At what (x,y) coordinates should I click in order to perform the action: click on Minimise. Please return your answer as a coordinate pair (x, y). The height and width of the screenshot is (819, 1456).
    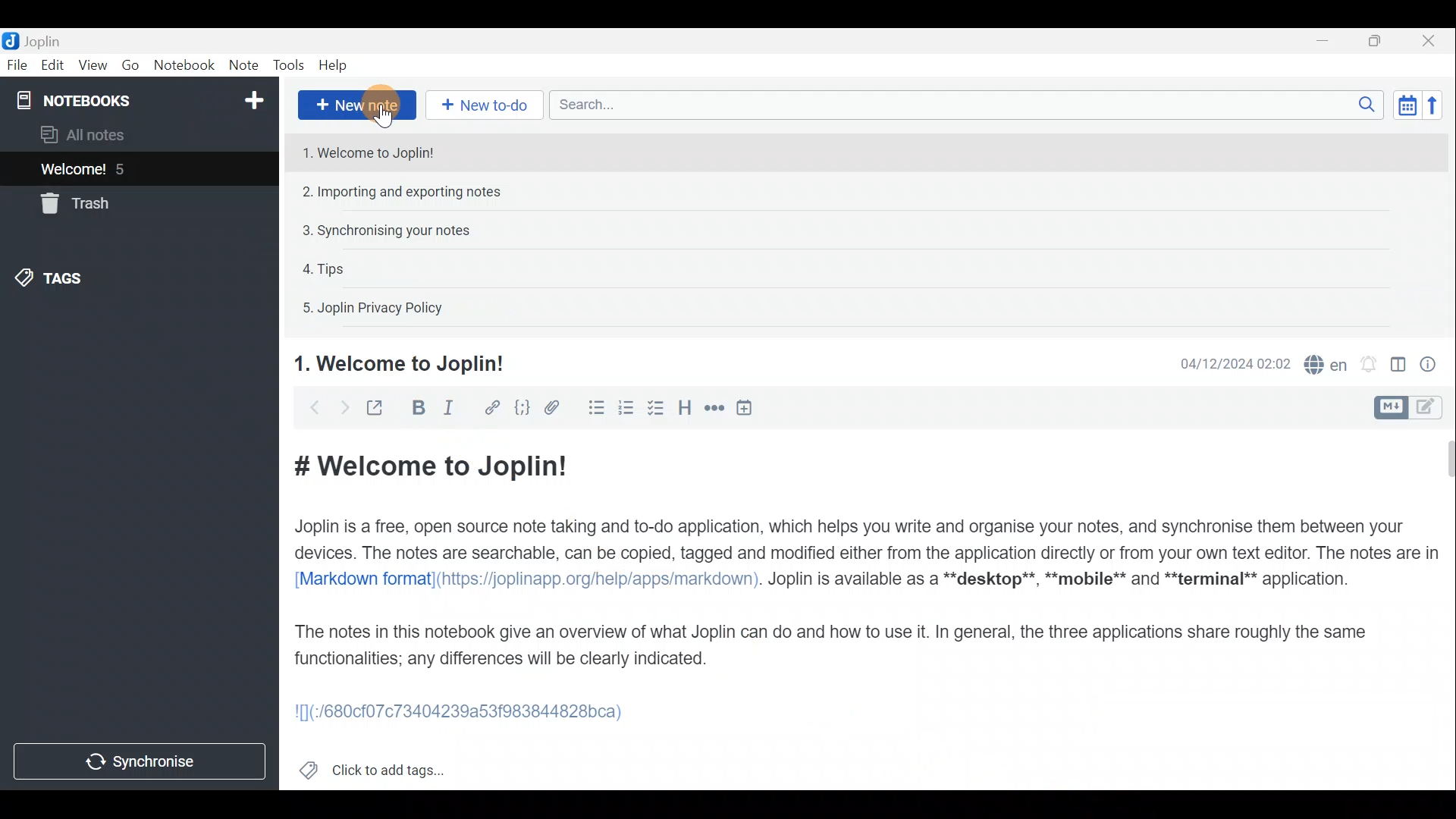
    Looking at the image, I should click on (1325, 40).